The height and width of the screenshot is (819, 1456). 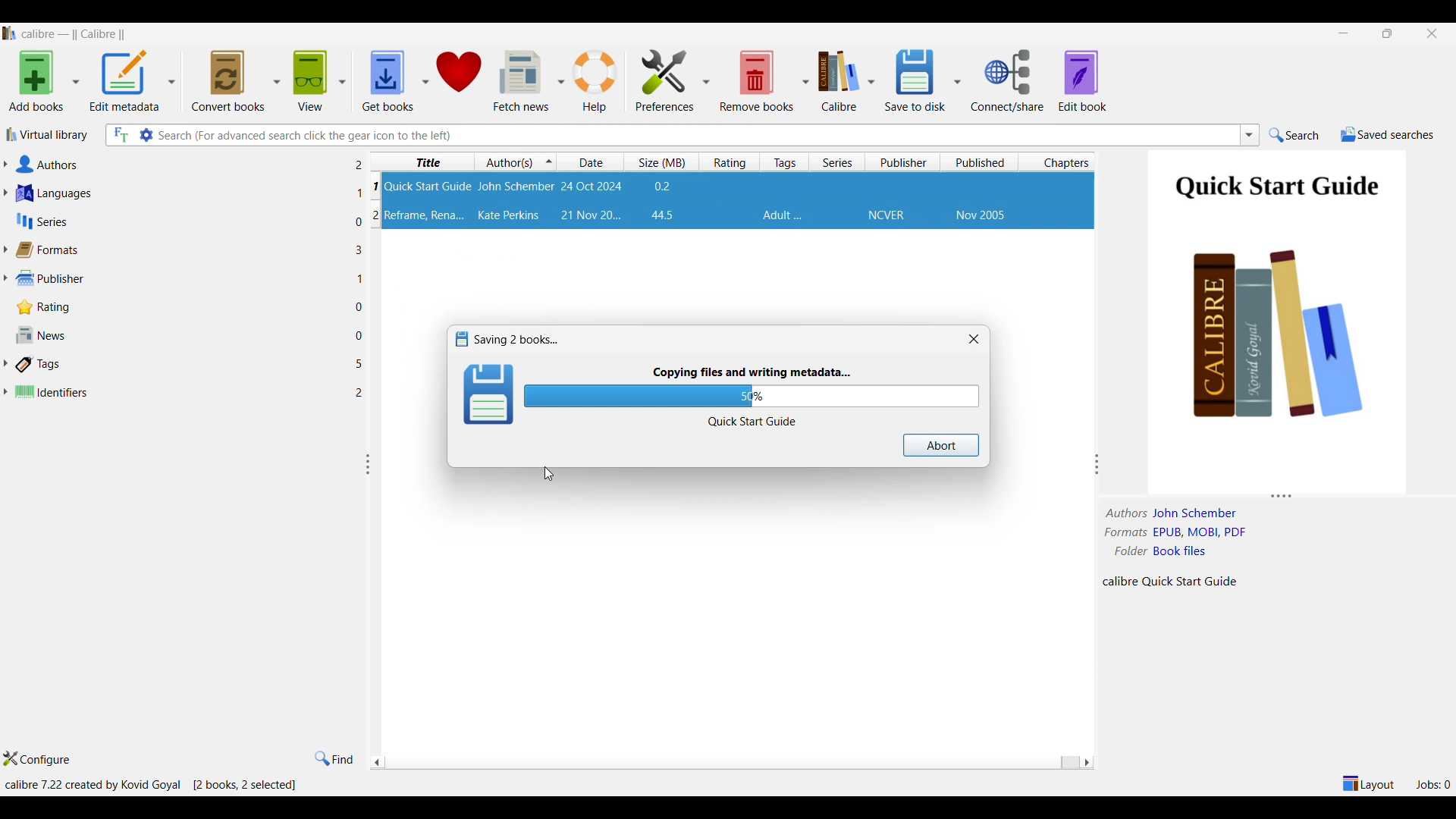 I want to click on Identifiers, so click(x=174, y=389).